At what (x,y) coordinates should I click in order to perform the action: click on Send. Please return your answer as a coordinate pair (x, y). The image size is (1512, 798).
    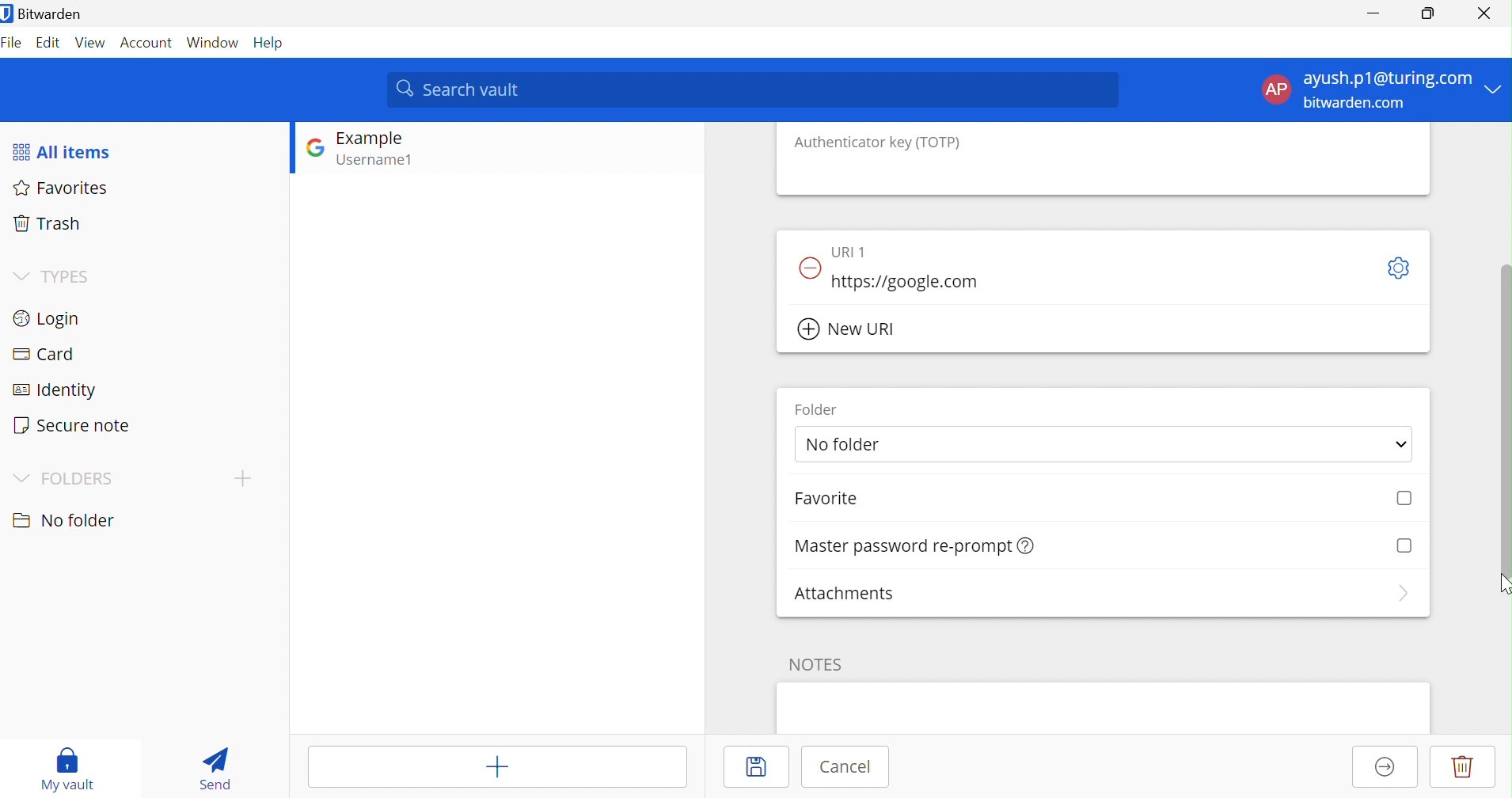
    Looking at the image, I should click on (211, 766).